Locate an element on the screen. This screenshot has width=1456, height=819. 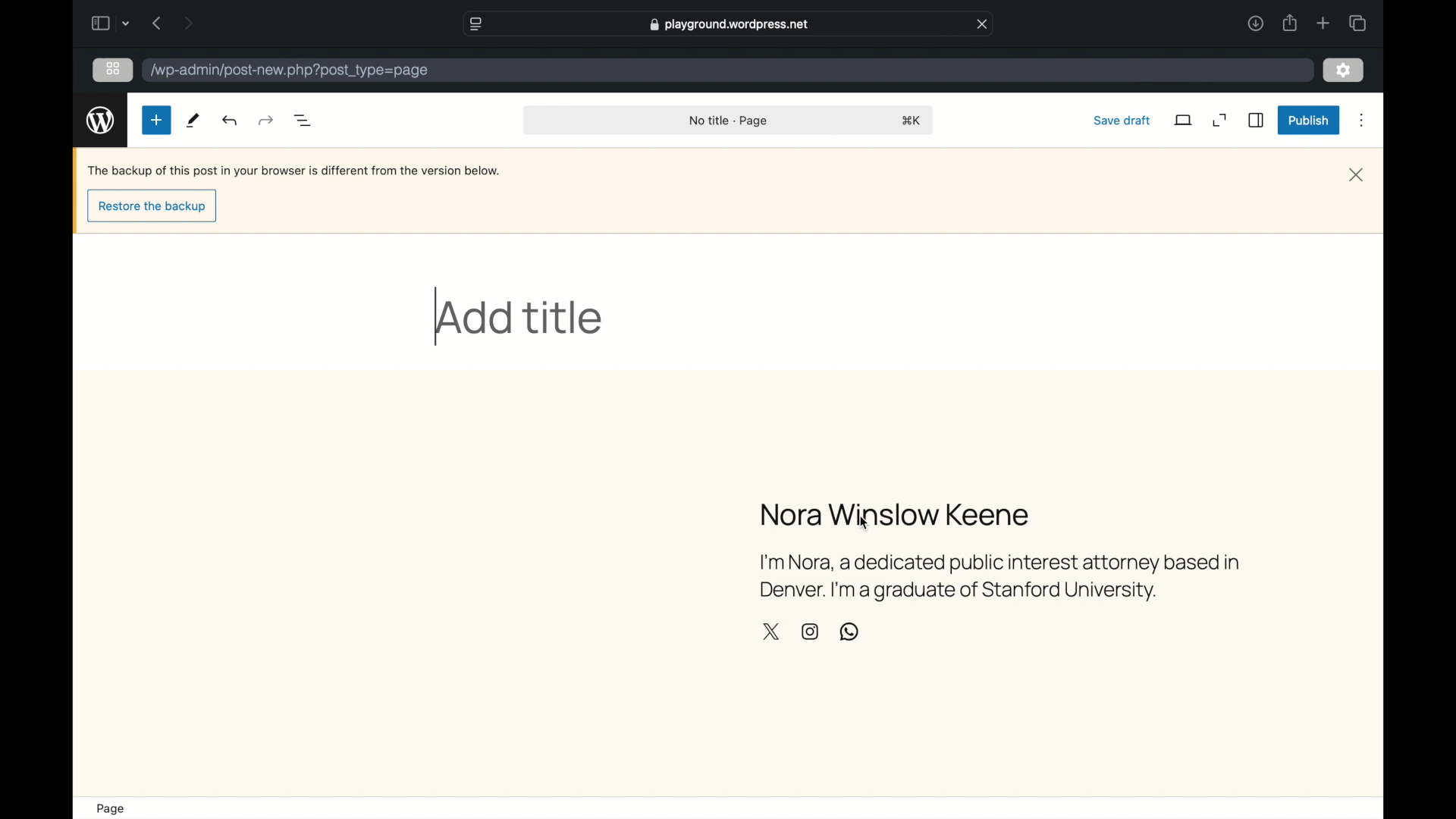
downloads is located at coordinates (1255, 23).